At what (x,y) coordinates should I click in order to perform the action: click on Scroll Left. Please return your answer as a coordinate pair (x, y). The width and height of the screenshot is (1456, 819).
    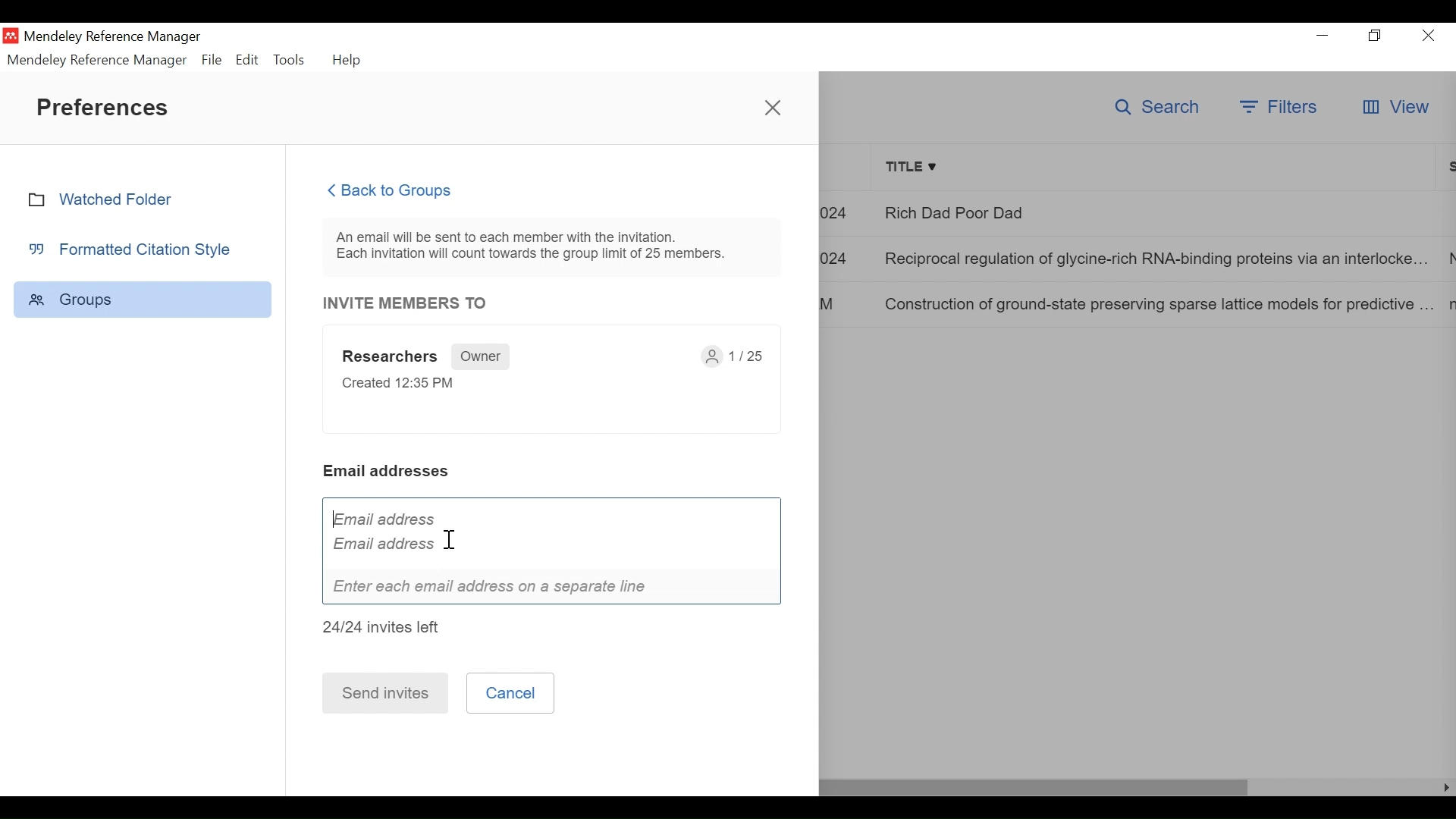
    Looking at the image, I should click on (1447, 788).